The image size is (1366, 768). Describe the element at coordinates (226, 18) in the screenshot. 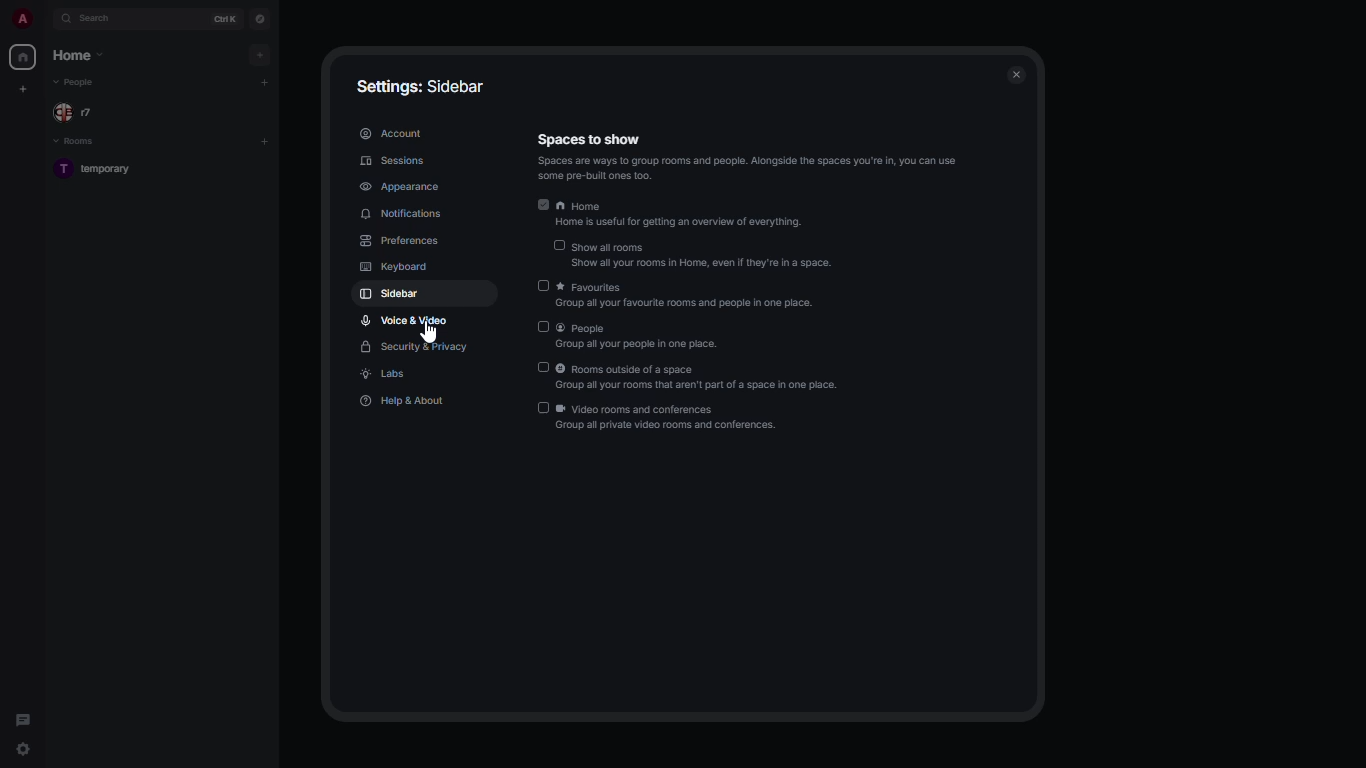

I see `ctrl K` at that location.